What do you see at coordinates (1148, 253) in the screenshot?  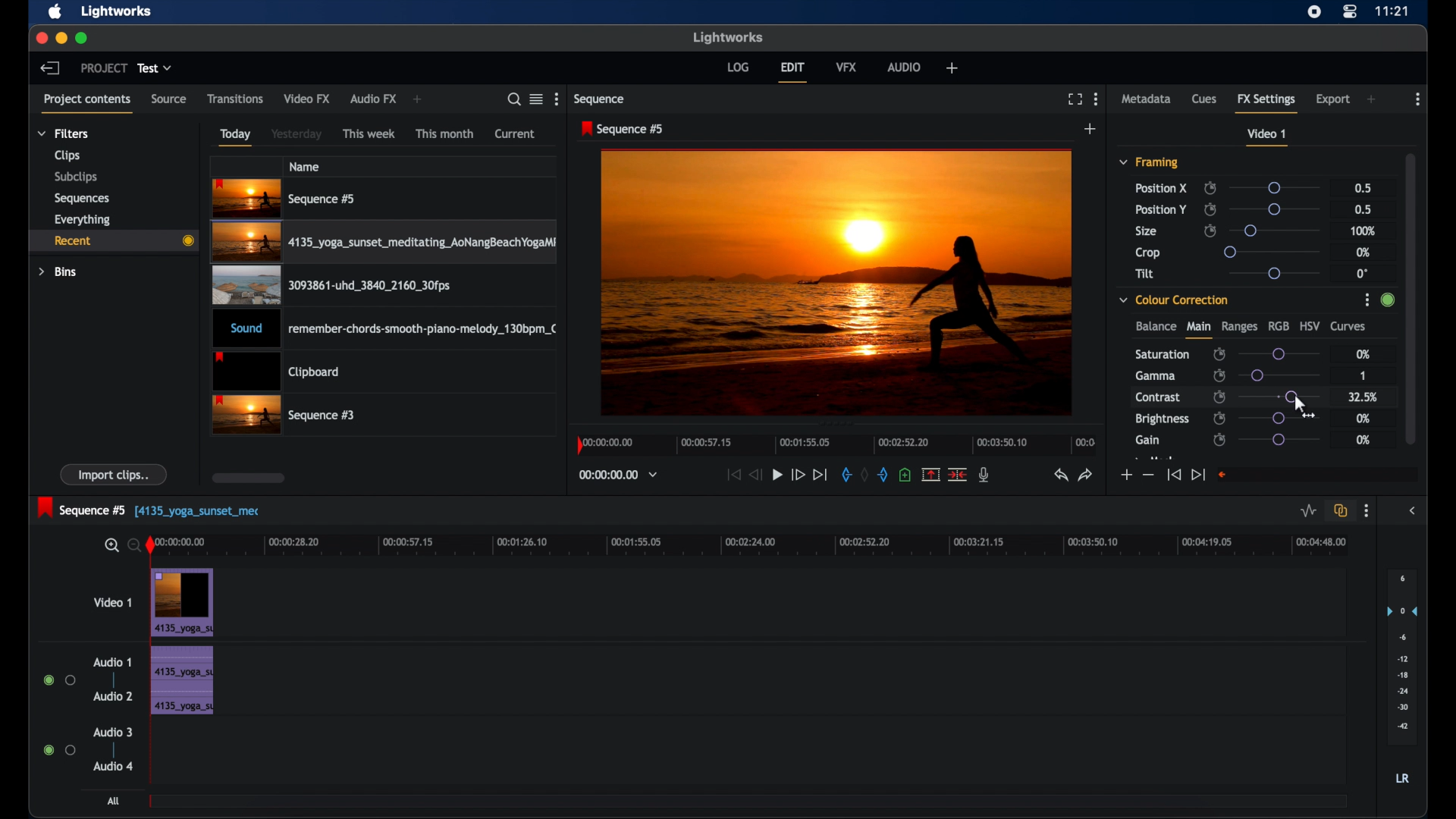 I see `crop` at bounding box center [1148, 253].